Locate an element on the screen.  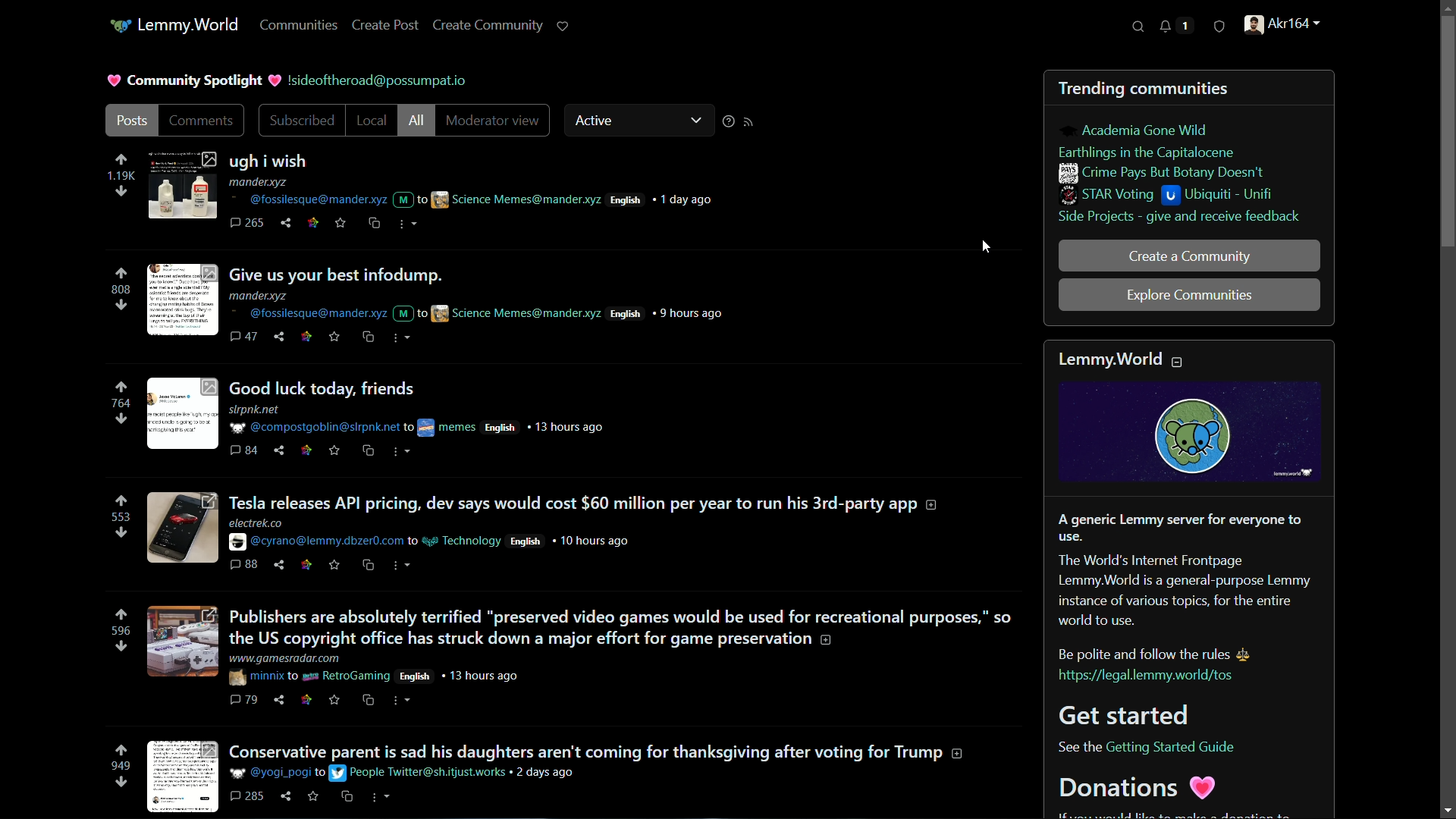
to is located at coordinates (321, 774).